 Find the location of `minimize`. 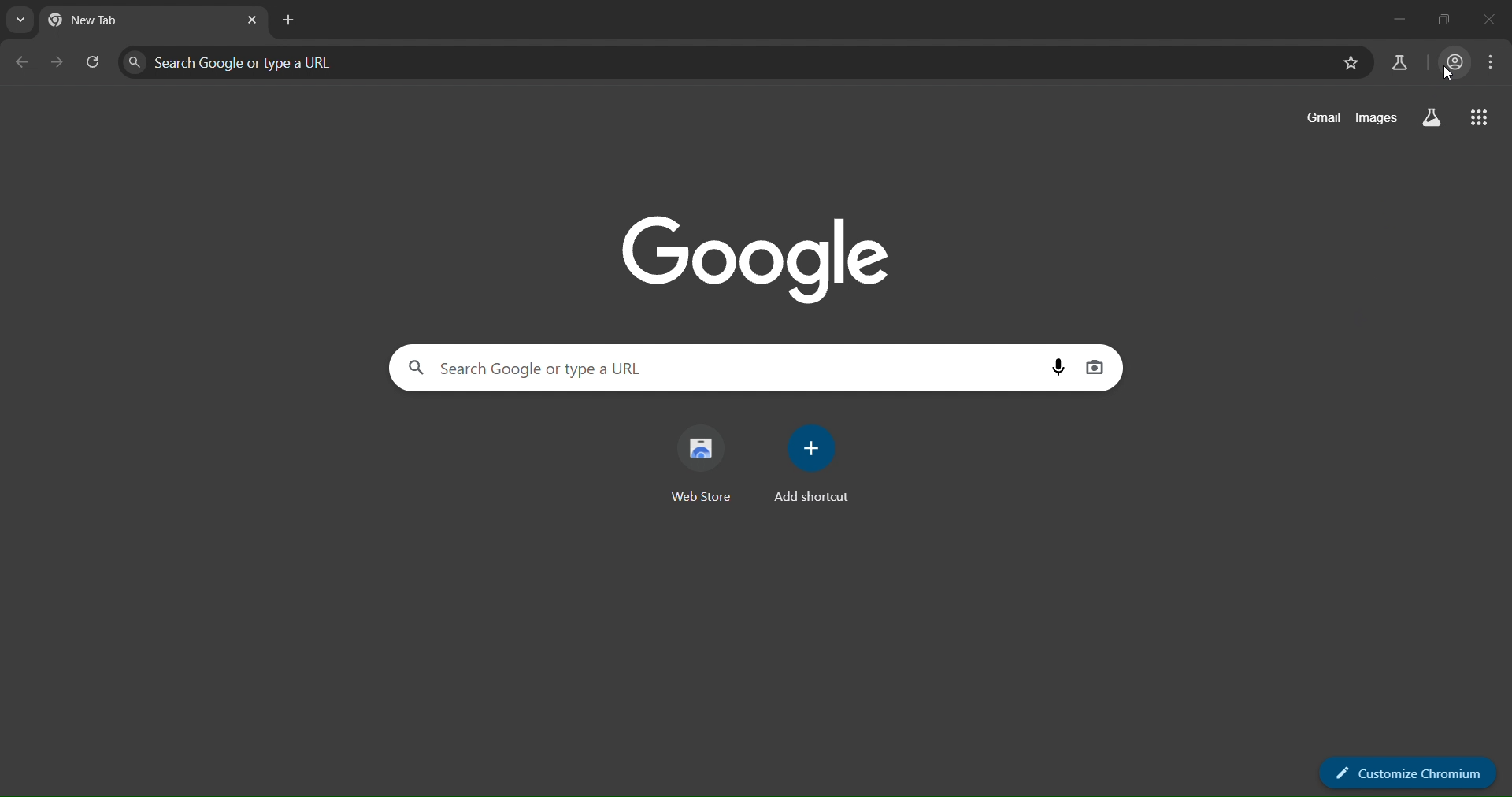

minimize is located at coordinates (1397, 20).